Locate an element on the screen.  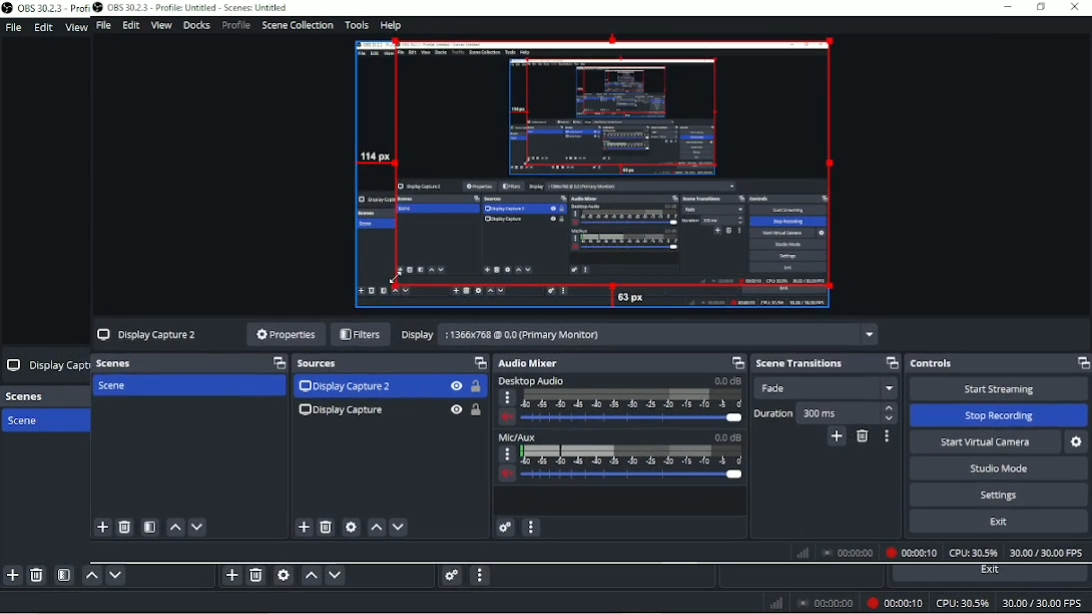
Add is located at coordinates (302, 528).